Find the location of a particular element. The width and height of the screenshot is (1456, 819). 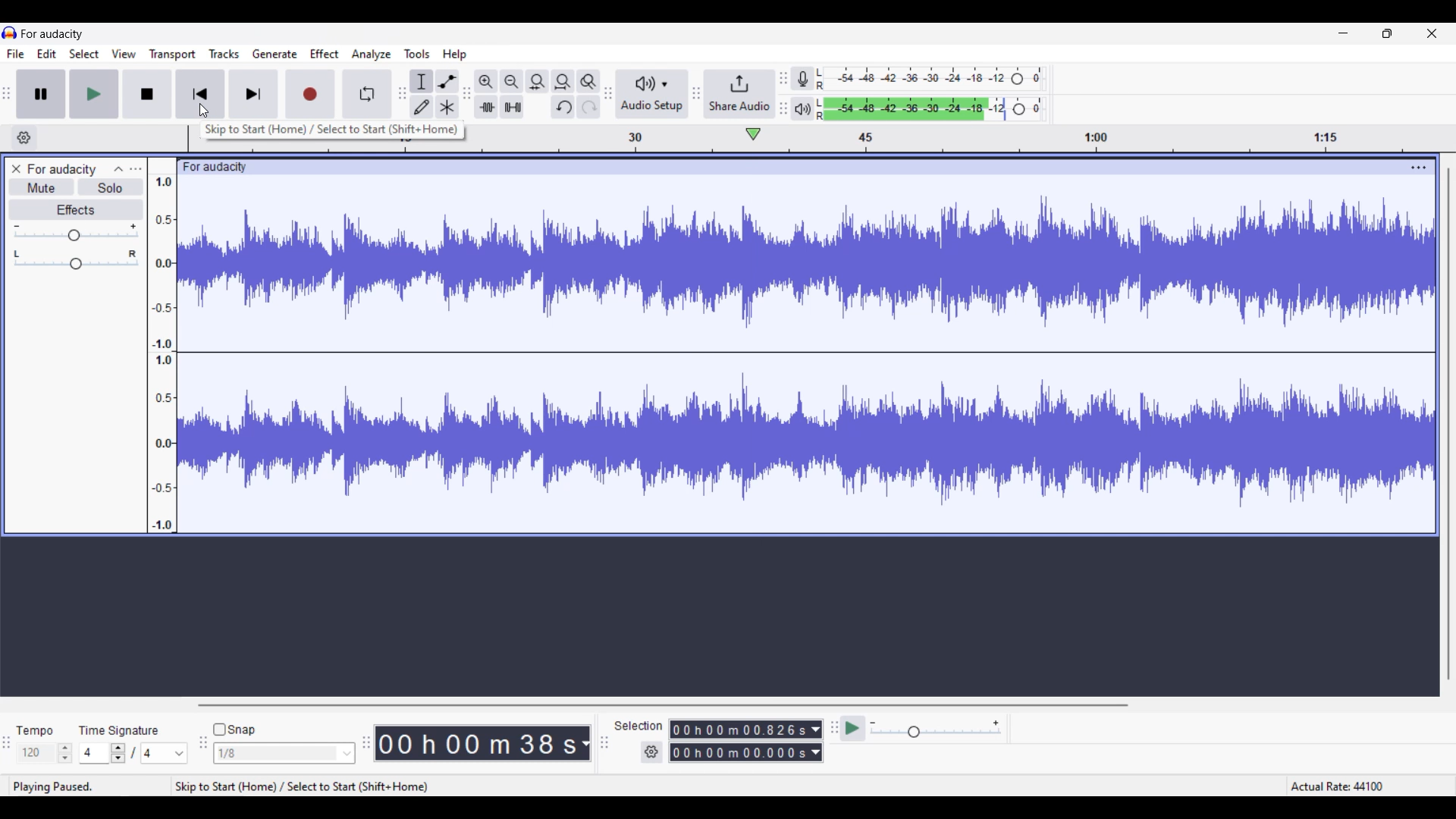

Analyze menu is located at coordinates (371, 55).